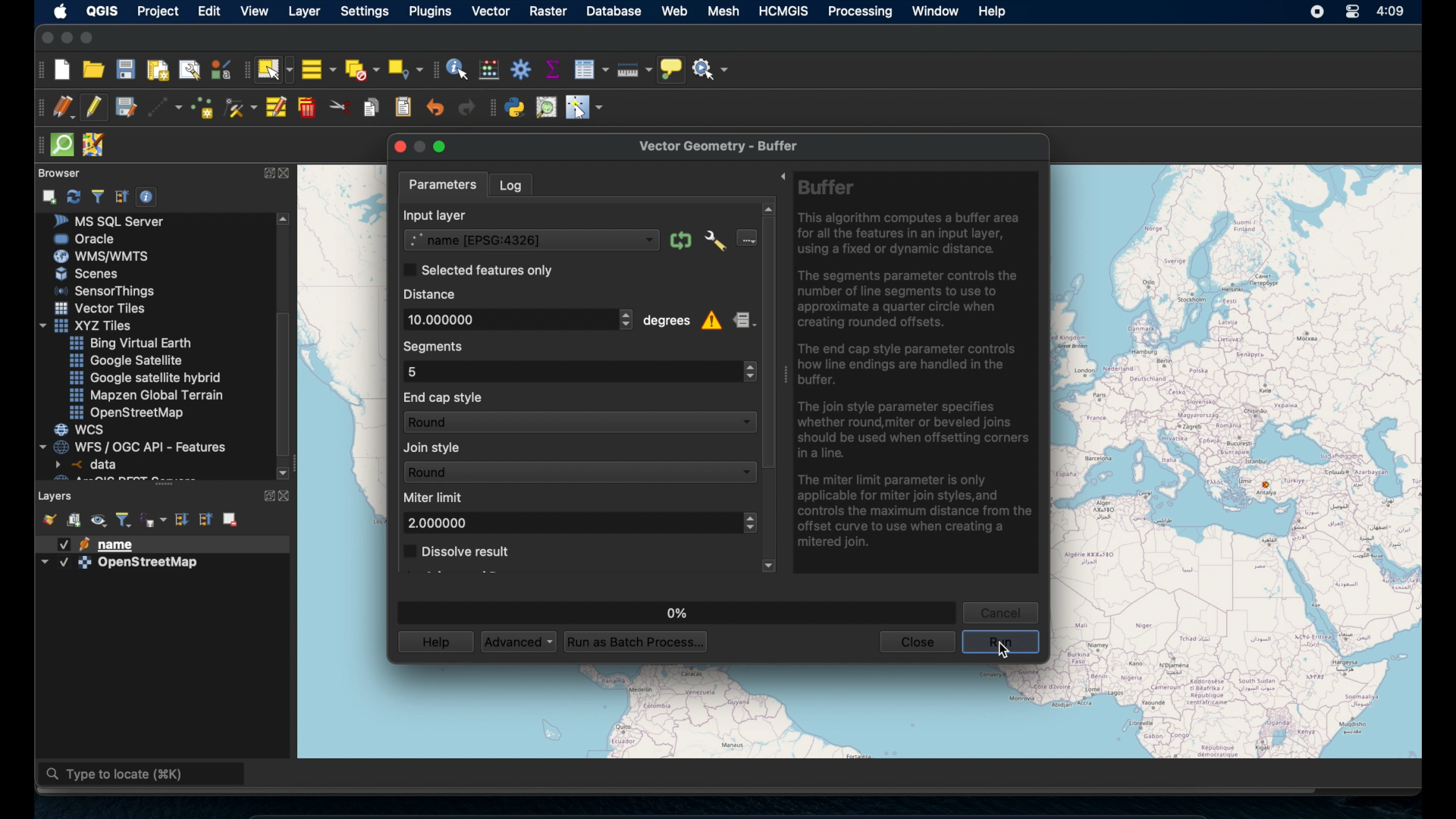 This screenshot has width=1456, height=819. I want to click on scenes, so click(93, 275).